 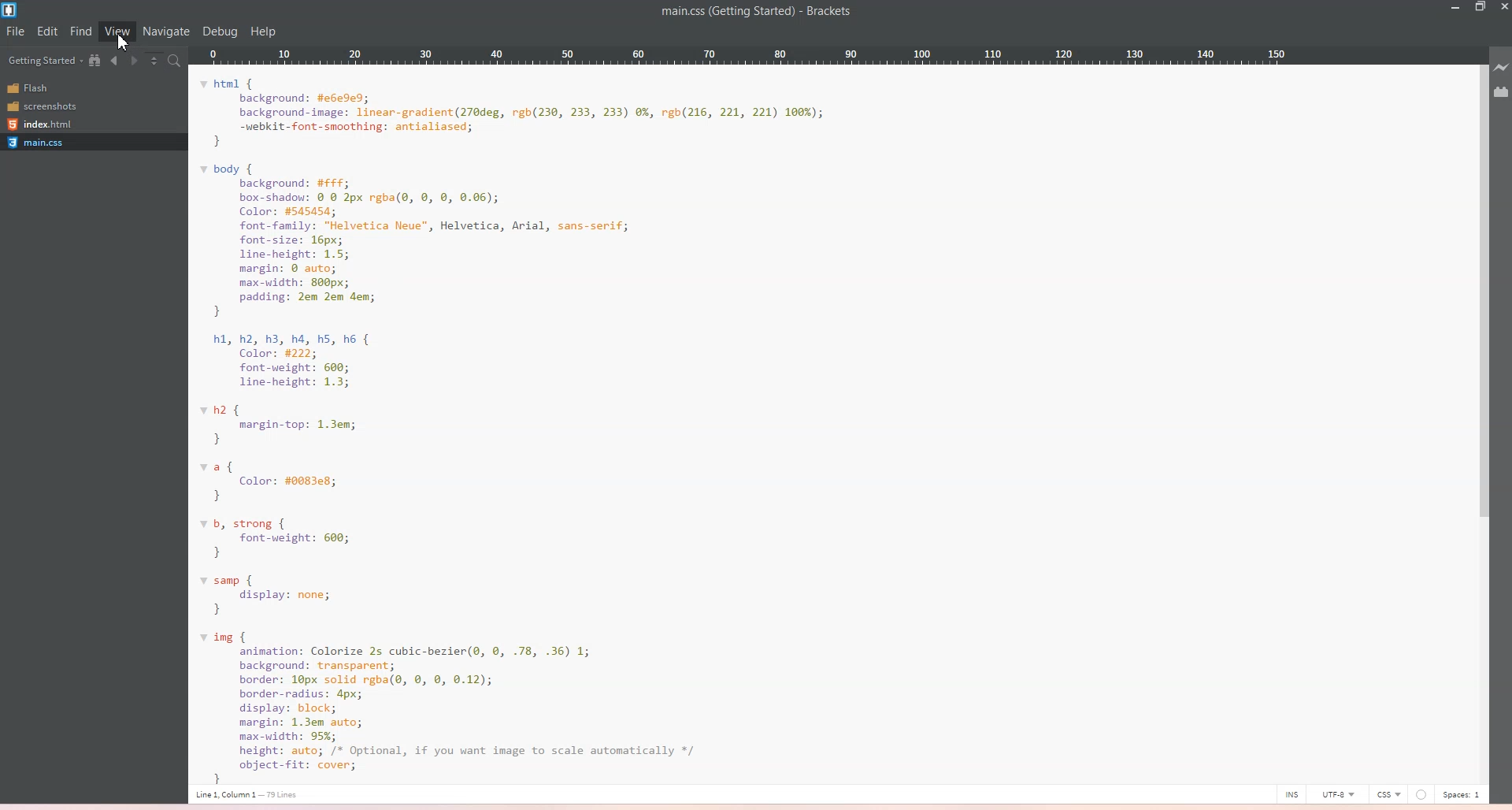 I want to click on Live Preview, so click(x=1503, y=67).